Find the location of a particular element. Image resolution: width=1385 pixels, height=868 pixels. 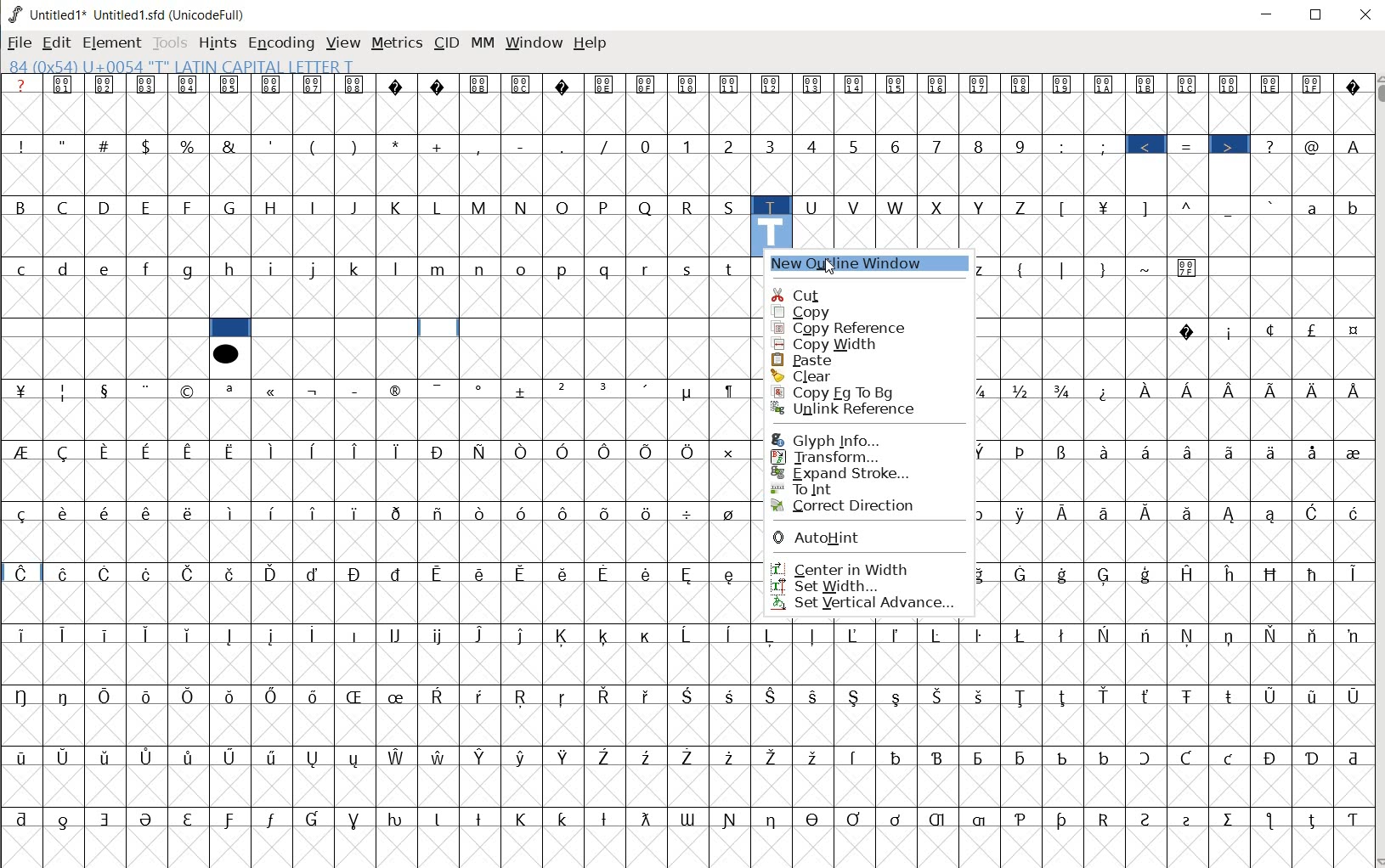

scrollbar is located at coordinates (1377, 470).